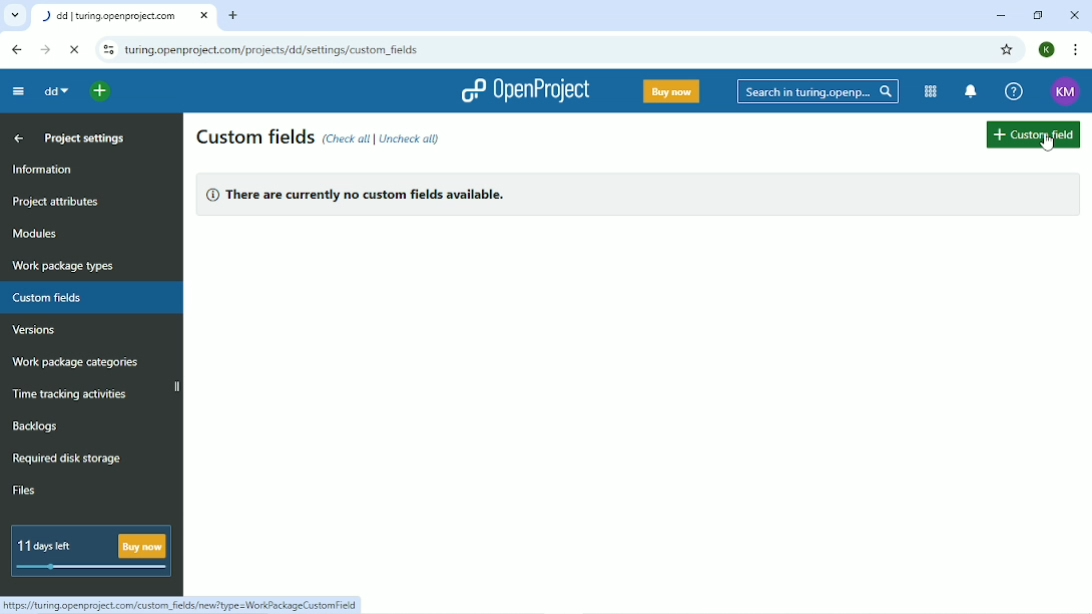  Describe the element at coordinates (1038, 15) in the screenshot. I see `Restore down` at that location.